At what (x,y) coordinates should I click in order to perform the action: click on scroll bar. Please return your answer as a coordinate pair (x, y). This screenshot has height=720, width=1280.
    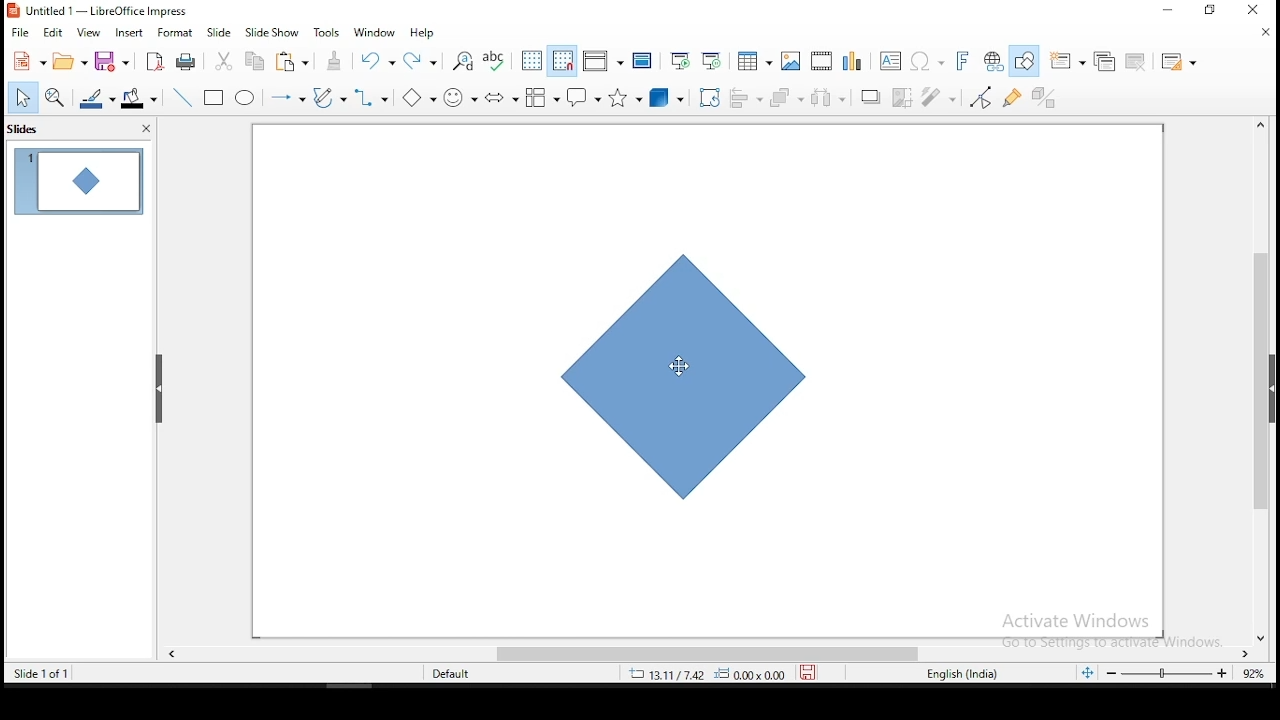
    Looking at the image, I should click on (1261, 334).